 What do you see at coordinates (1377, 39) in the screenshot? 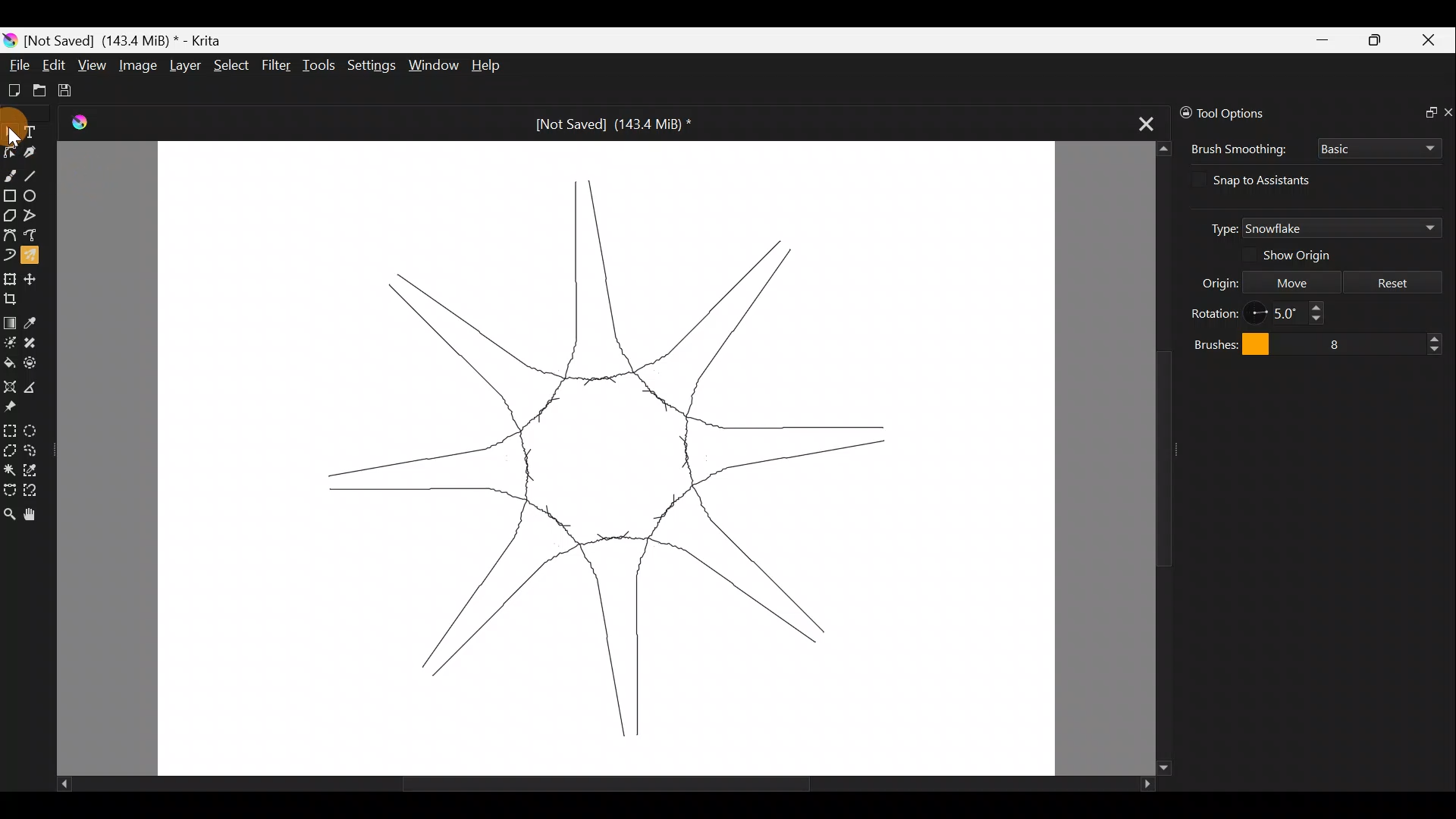
I see `Maximize` at bounding box center [1377, 39].